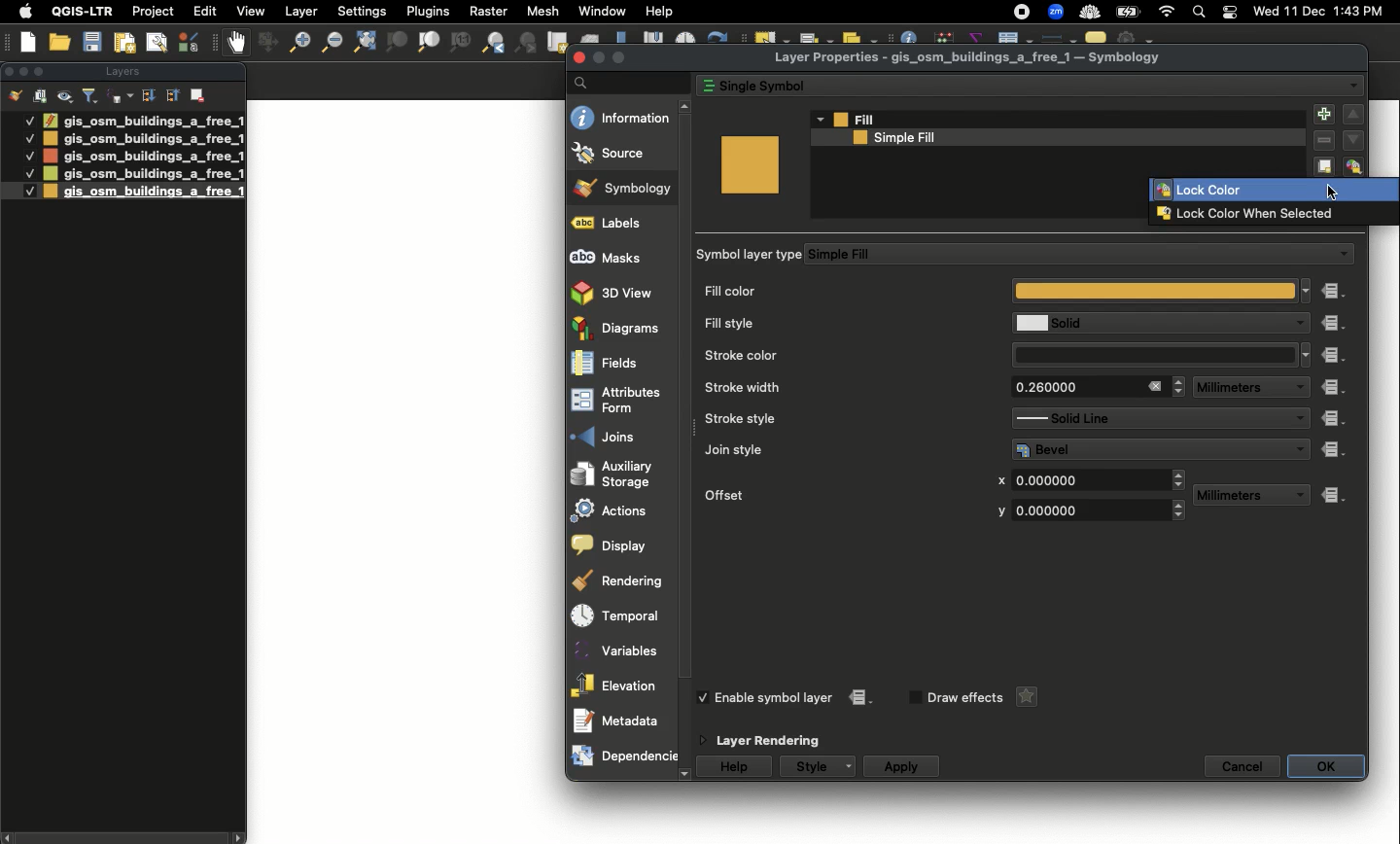 The height and width of the screenshot is (844, 1400). Describe the element at coordinates (1274, 192) in the screenshot. I see `Lock color` at that location.